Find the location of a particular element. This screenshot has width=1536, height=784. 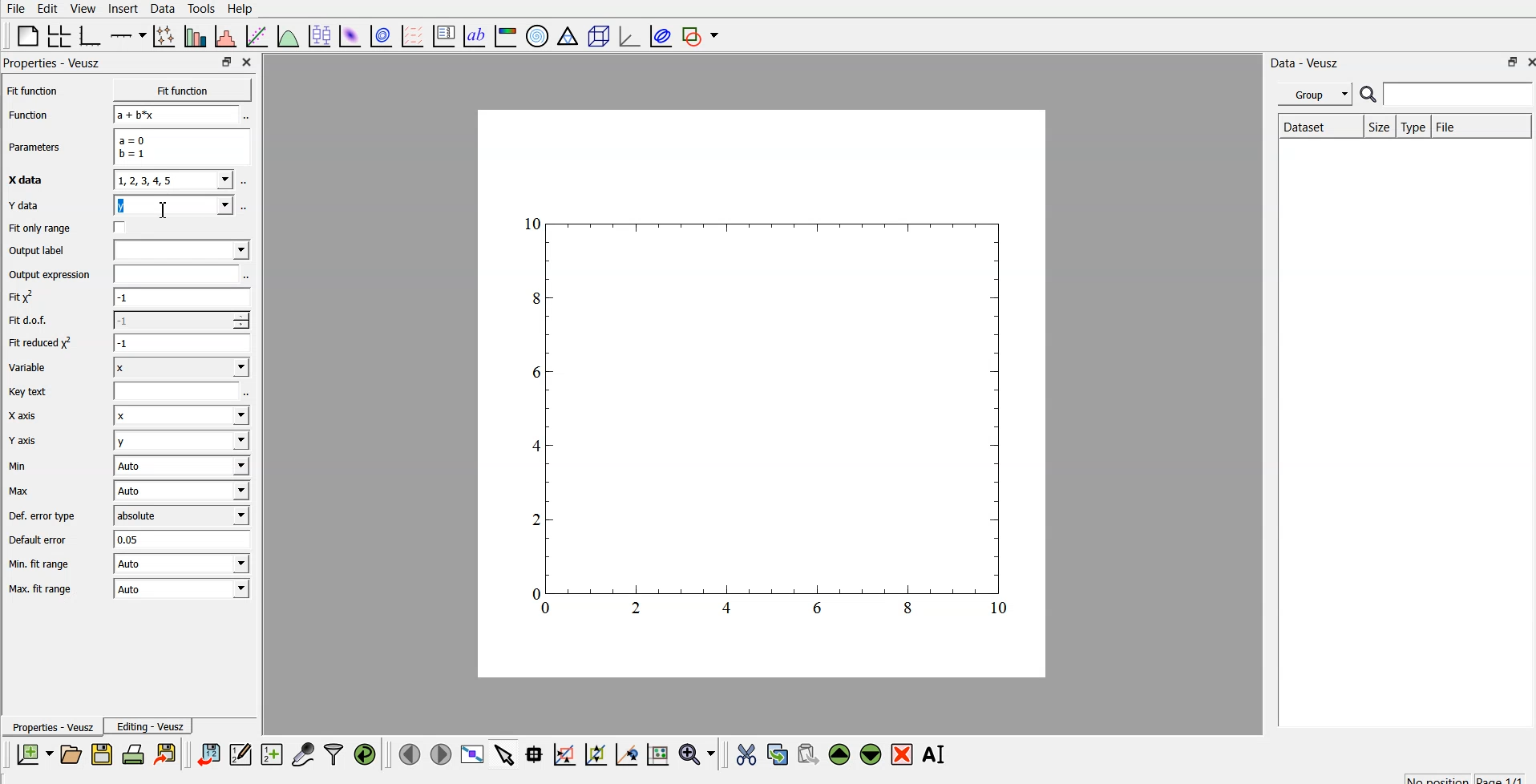

paste the selected widget is located at coordinates (807, 754).